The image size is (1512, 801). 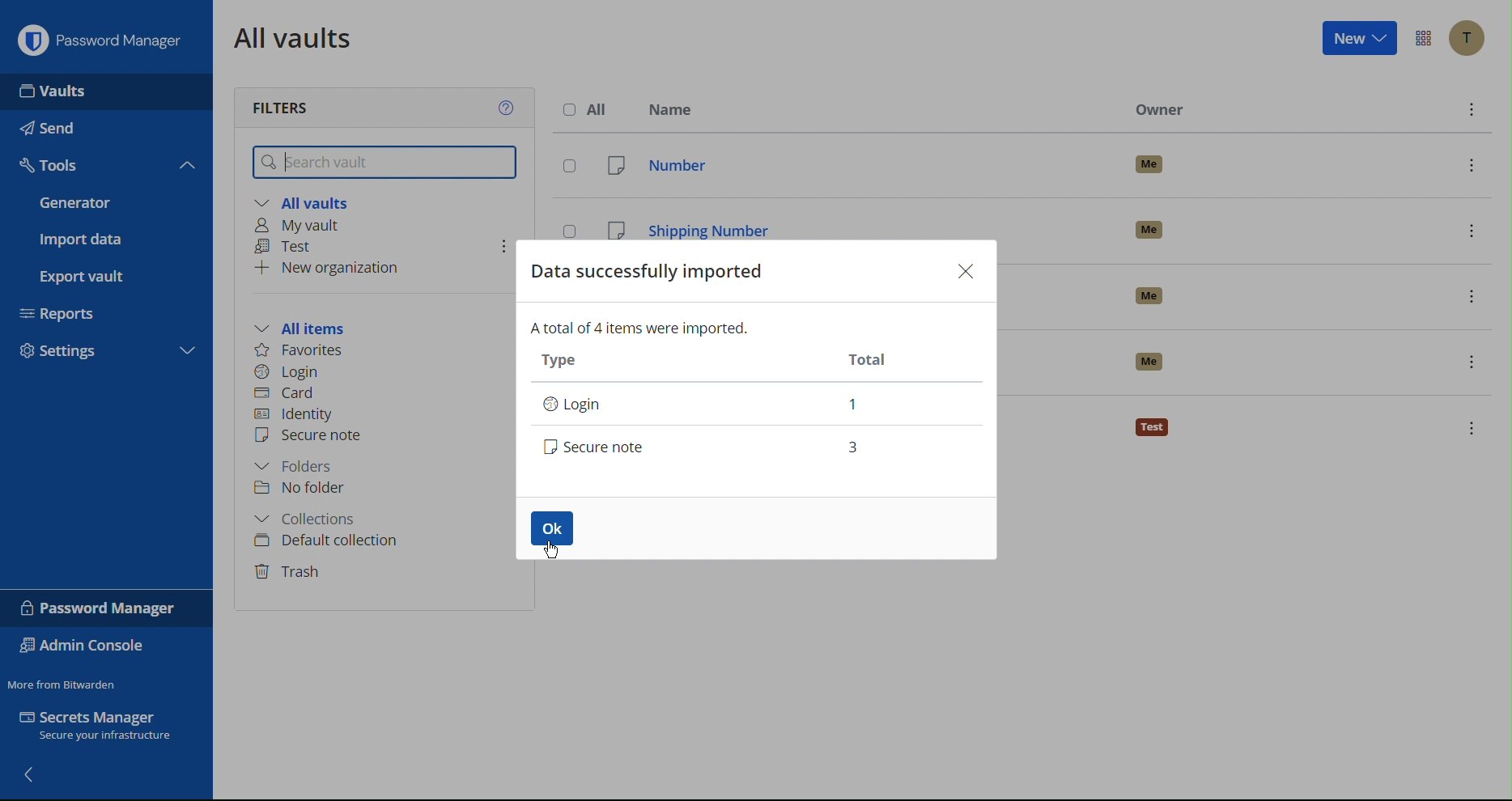 I want to click on Folders, so click(x=299, y=467).